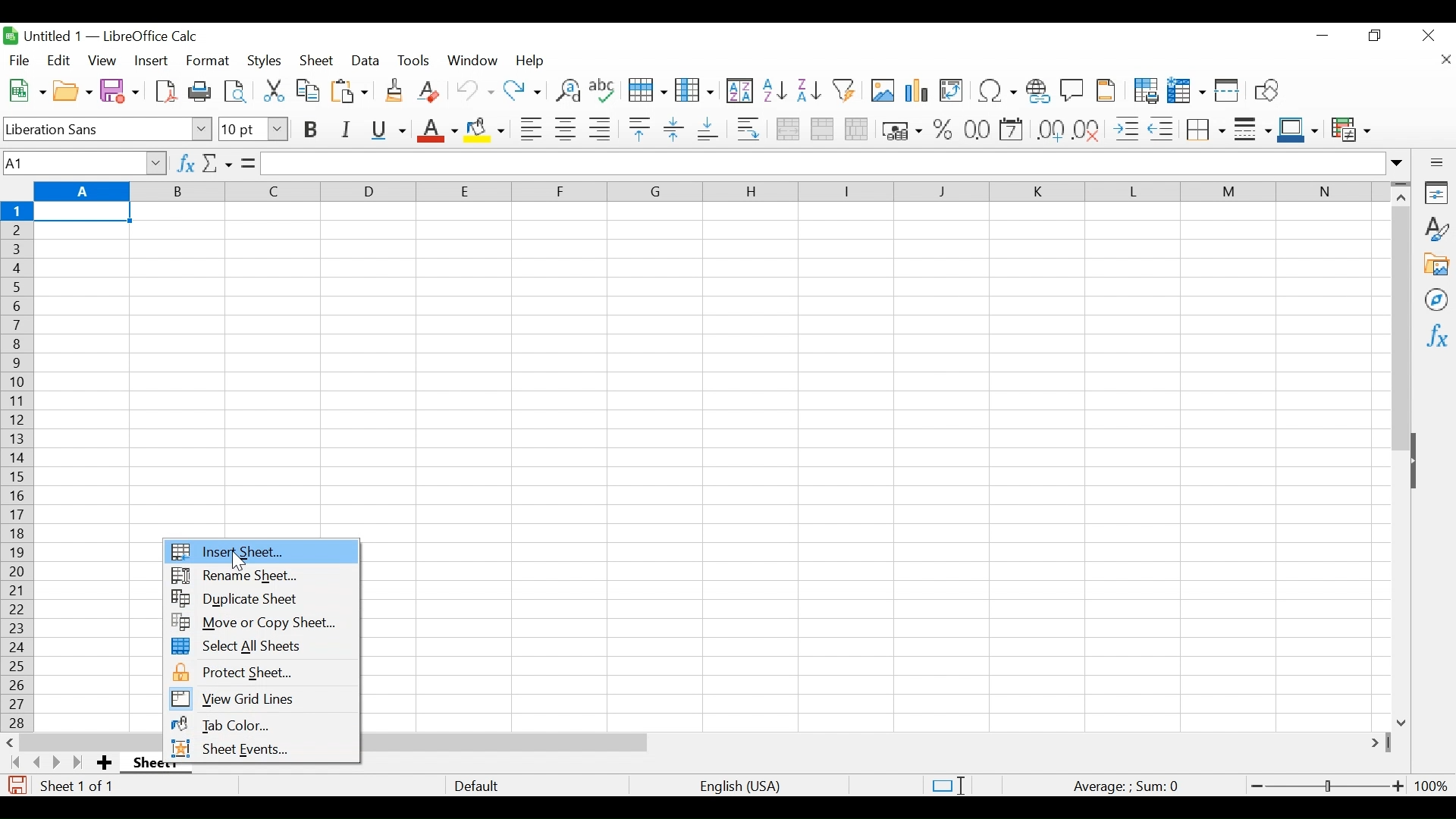  I want to click on Wrap Text, so click(748, 129).